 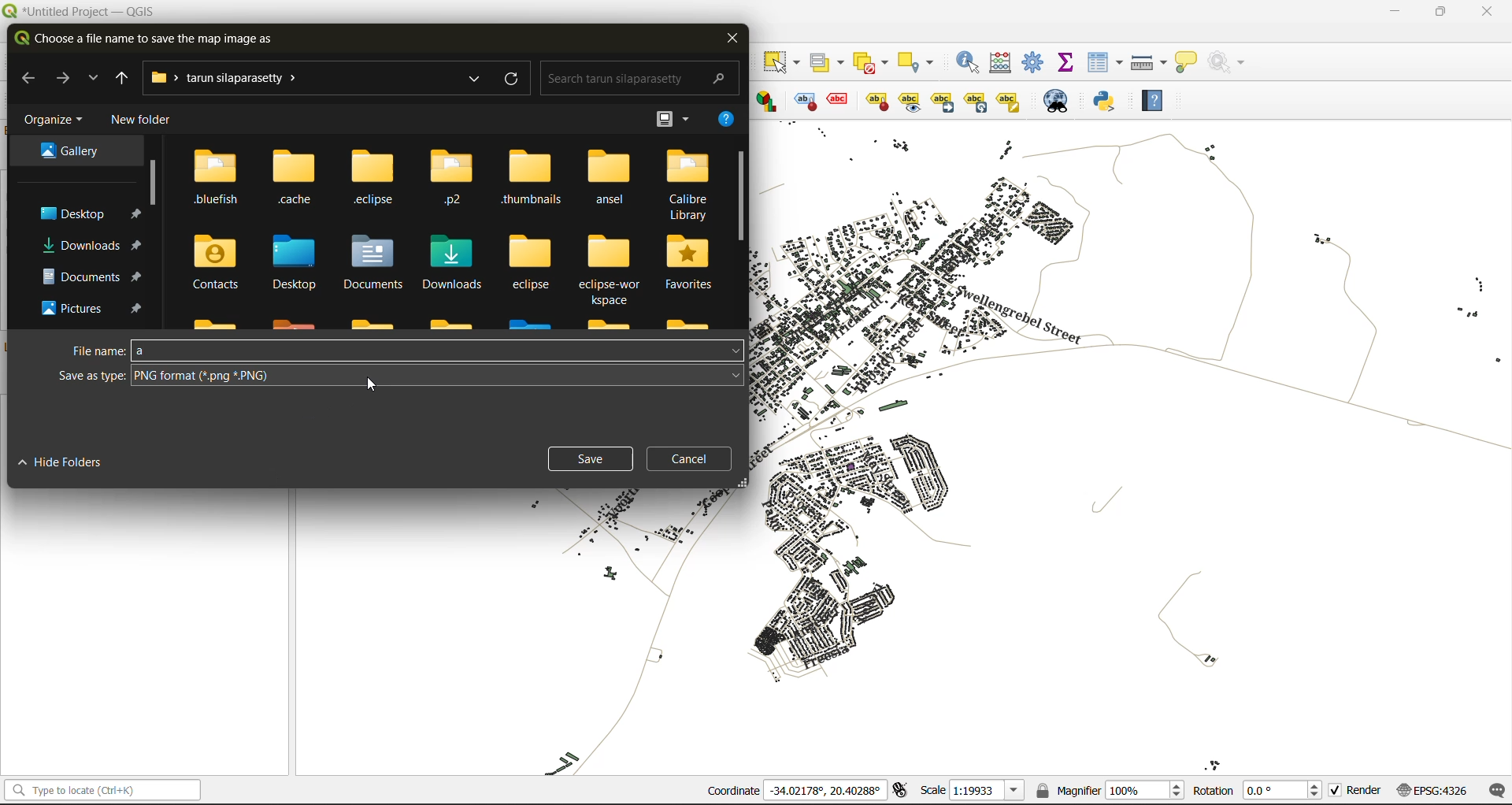 What do you see at coordinates (139, 121) in the screenshot?
I see `new folder` at bounding box center [139, 121].